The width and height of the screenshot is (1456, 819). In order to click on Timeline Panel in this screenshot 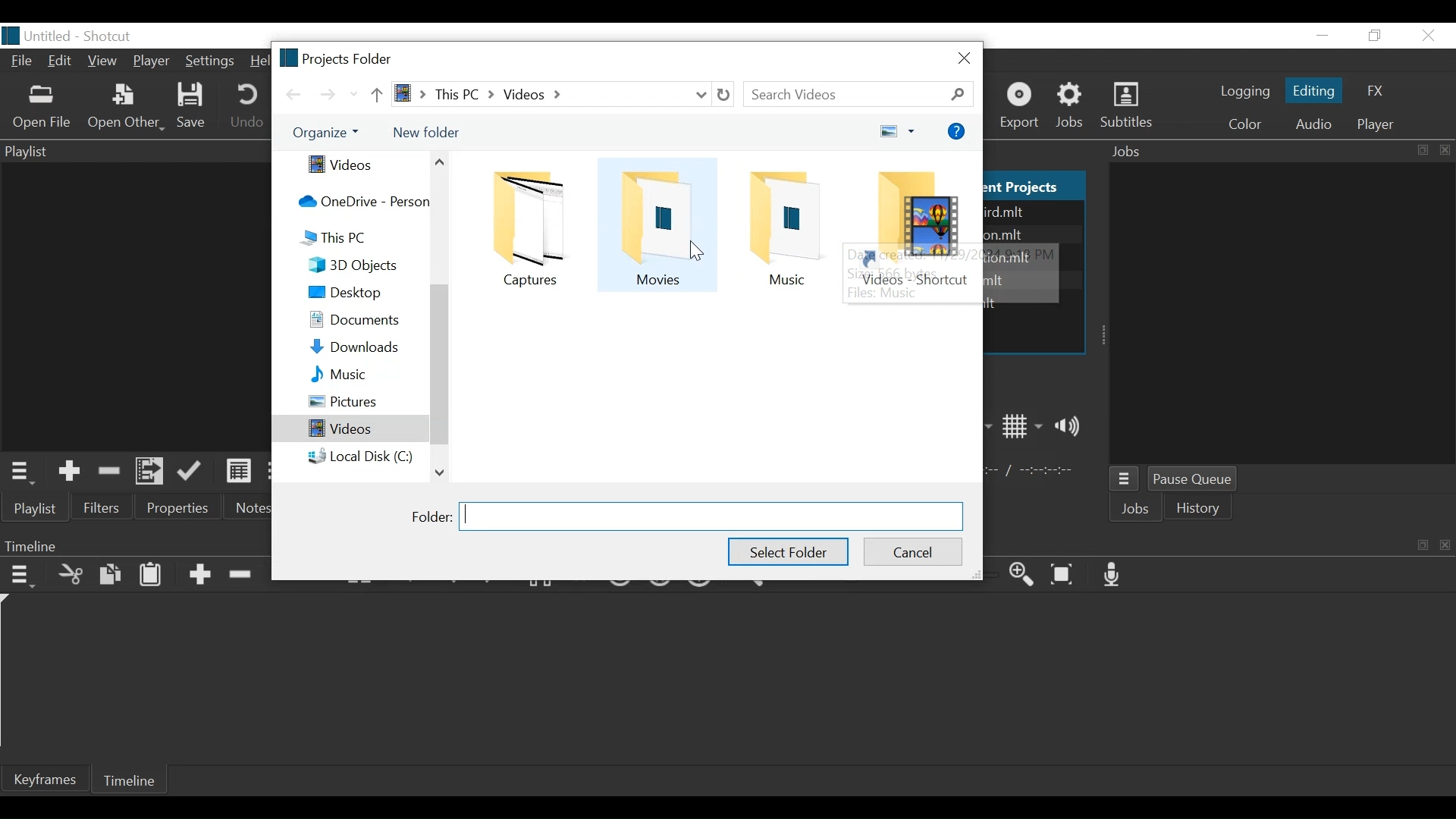, I will do `click(134, 546)`.